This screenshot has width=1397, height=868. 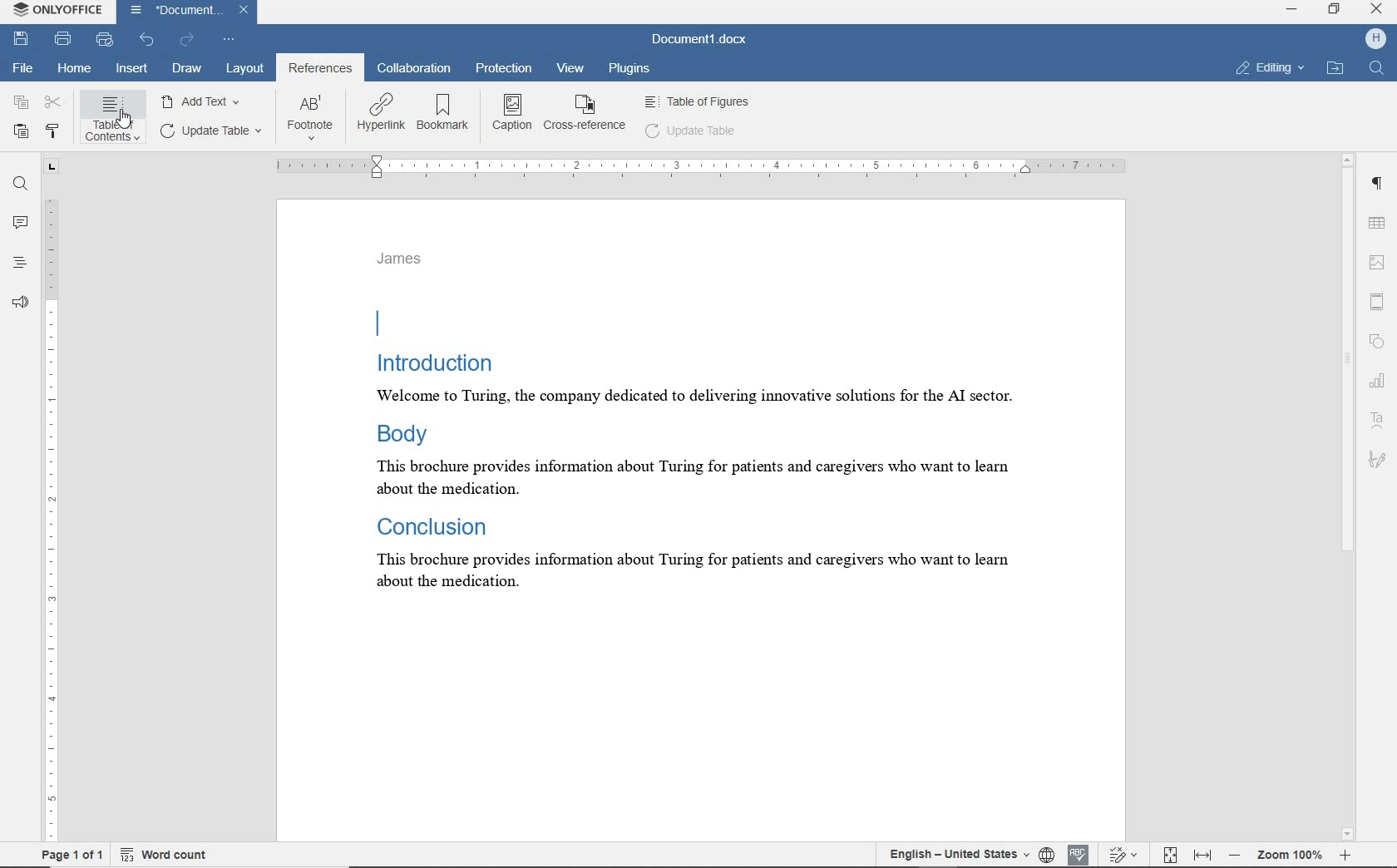 What do you see at coordinates (702, 450) in the screenshot?
I see `Introduction

Welcome to Turing, the company dedicated to delivering innovative solutions for the AI sector.
Body

This brochure provides information about Turing for patients and caregivers who want to learn
about the medication.

Conclusion

This brochure provides information about Turing for patients and caregivers who want to learn
about the medication.` at bounding box center [702, 450].